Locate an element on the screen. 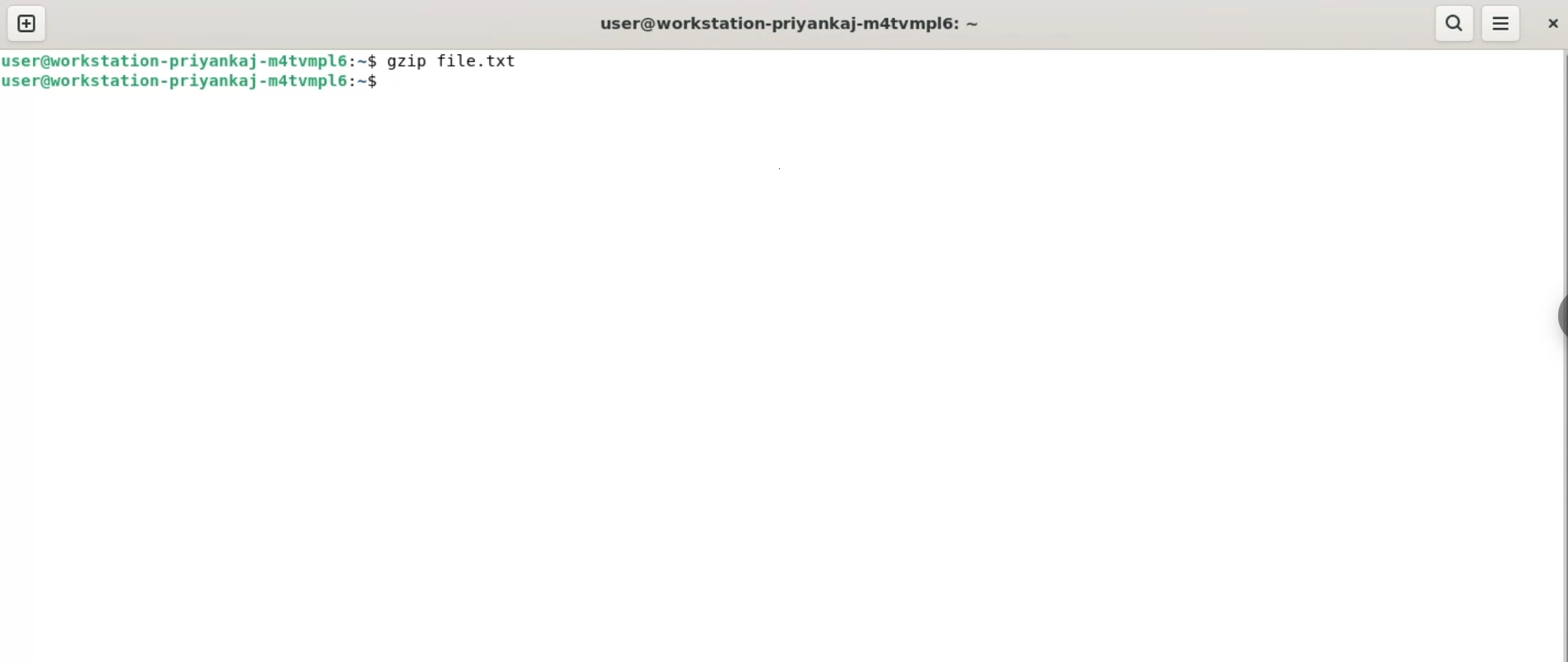  gzip file.txt is located at coordinates (469, 61).